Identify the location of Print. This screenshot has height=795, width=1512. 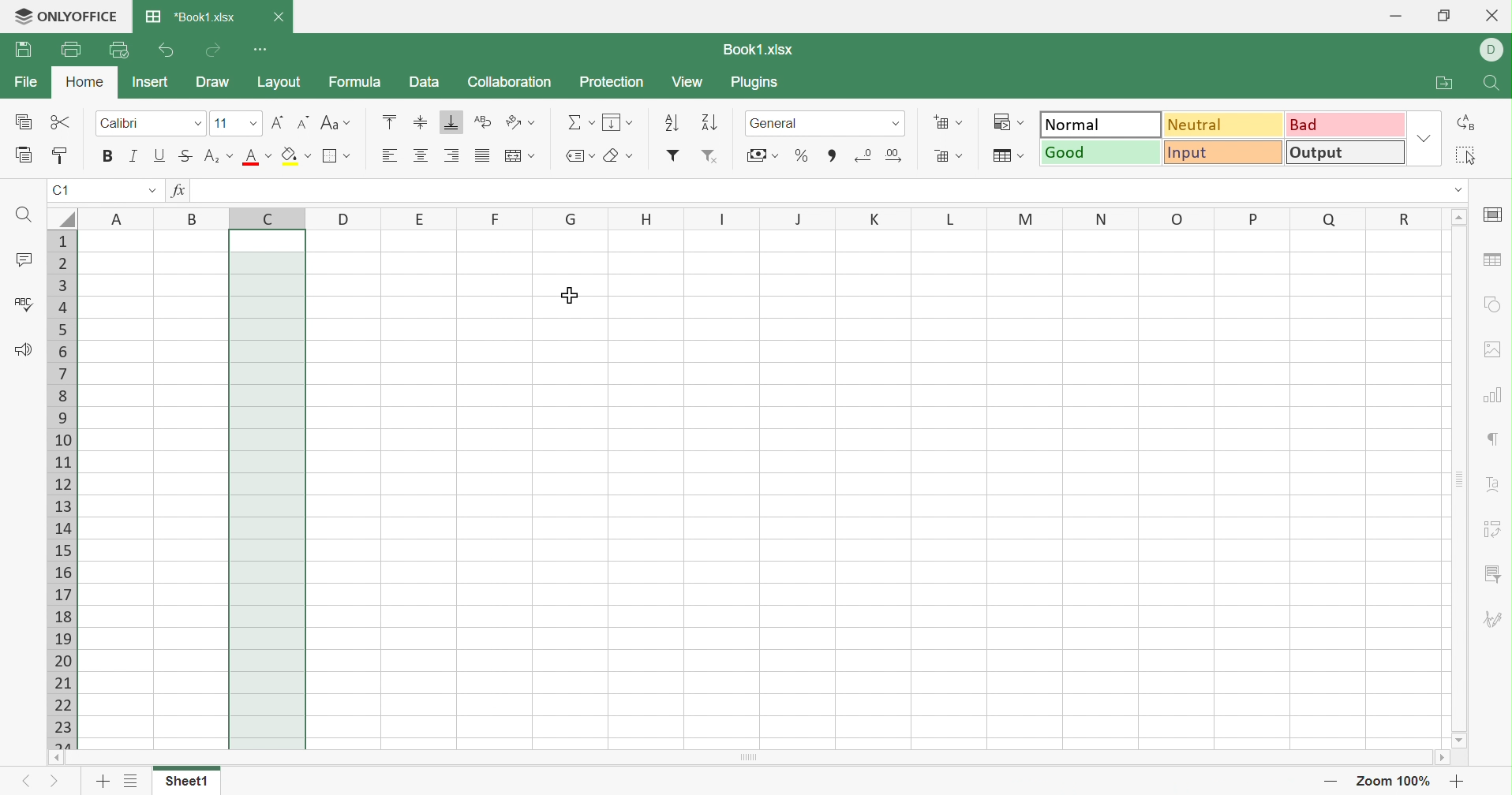
(74, 49).